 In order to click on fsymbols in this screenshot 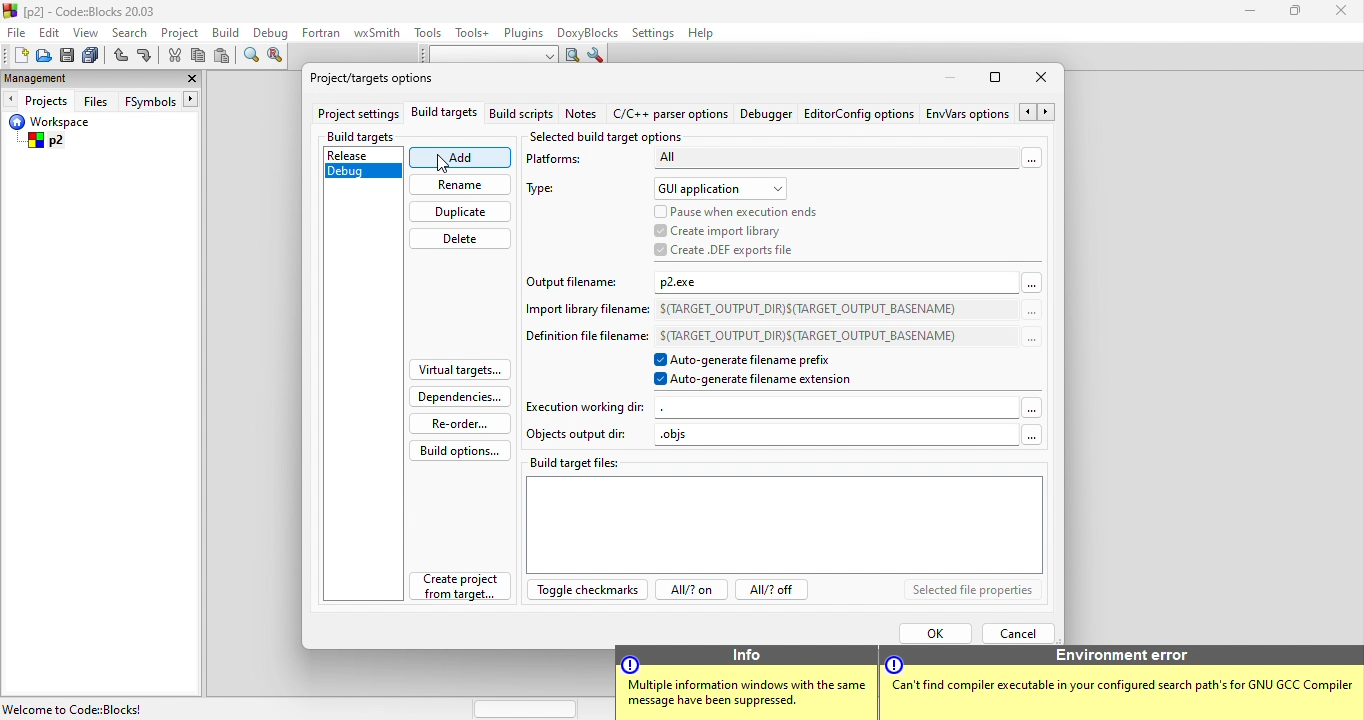, I will do `click(166, 100)`.